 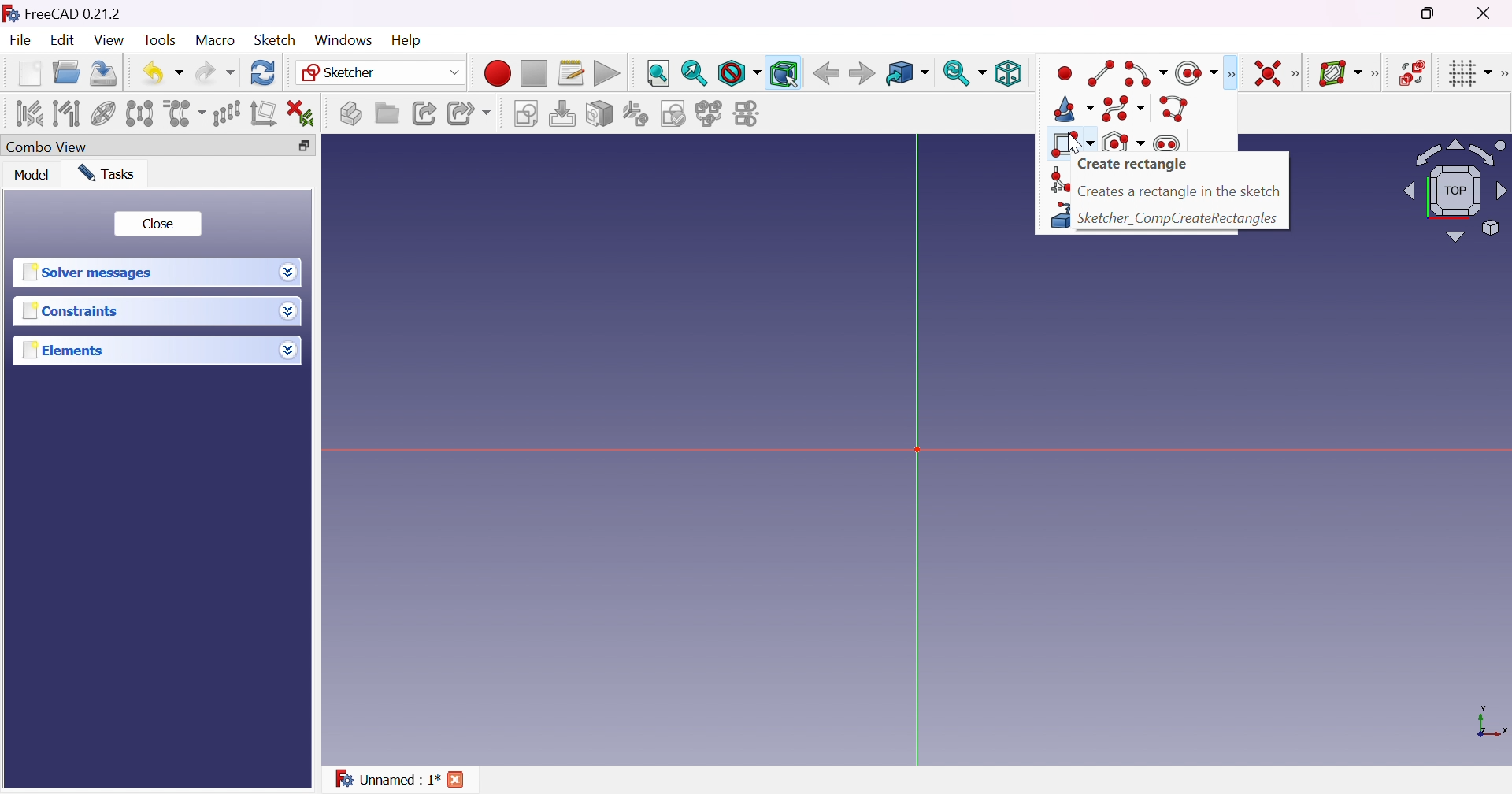 I want to click on Combo view, so click(x=47, y=147).